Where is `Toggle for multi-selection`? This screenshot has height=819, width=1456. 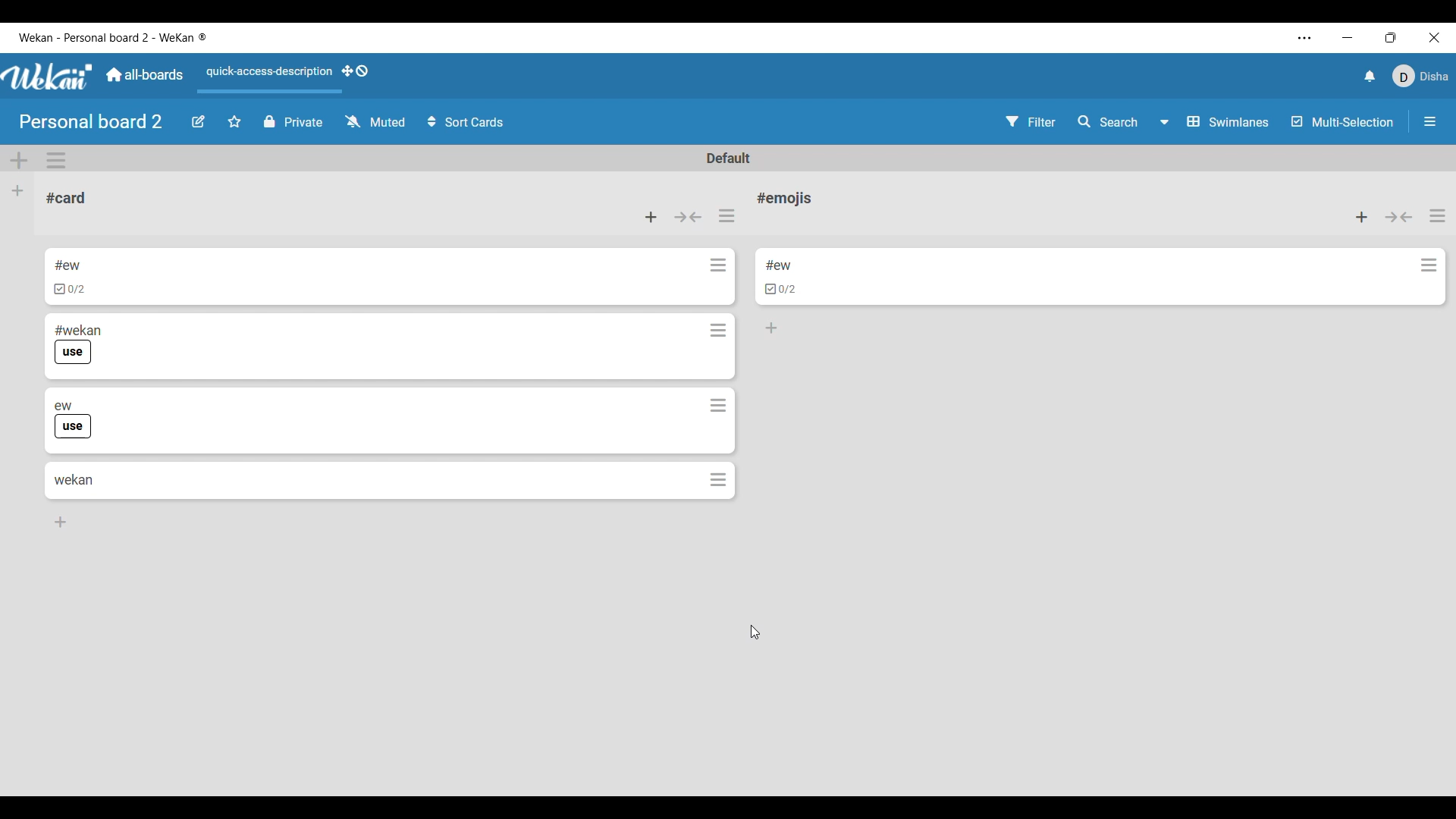
Toggle for multi-selection is located at coordinates (1342, 121).